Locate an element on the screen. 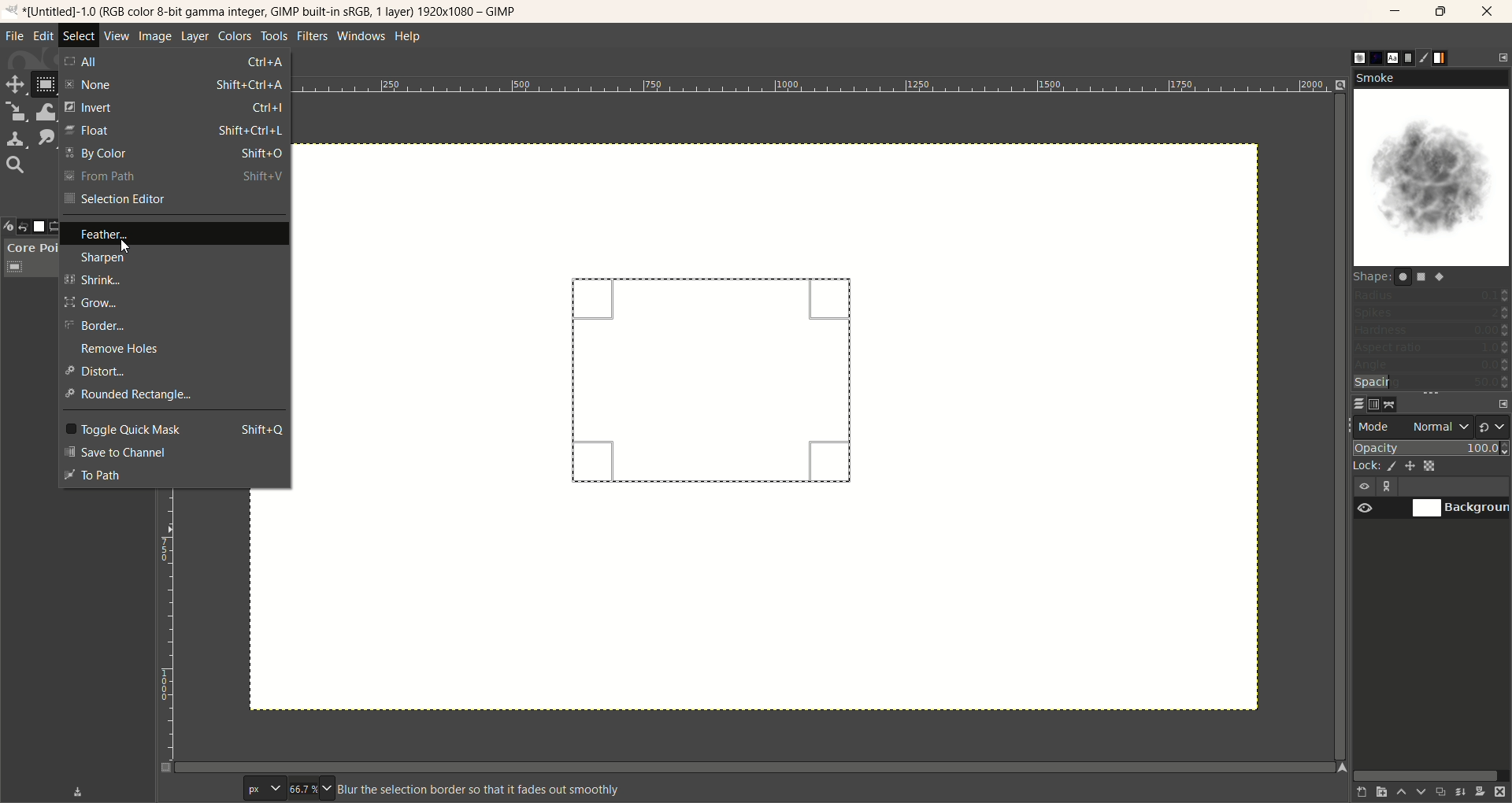  scale bar is located at coordinates (820, 88).